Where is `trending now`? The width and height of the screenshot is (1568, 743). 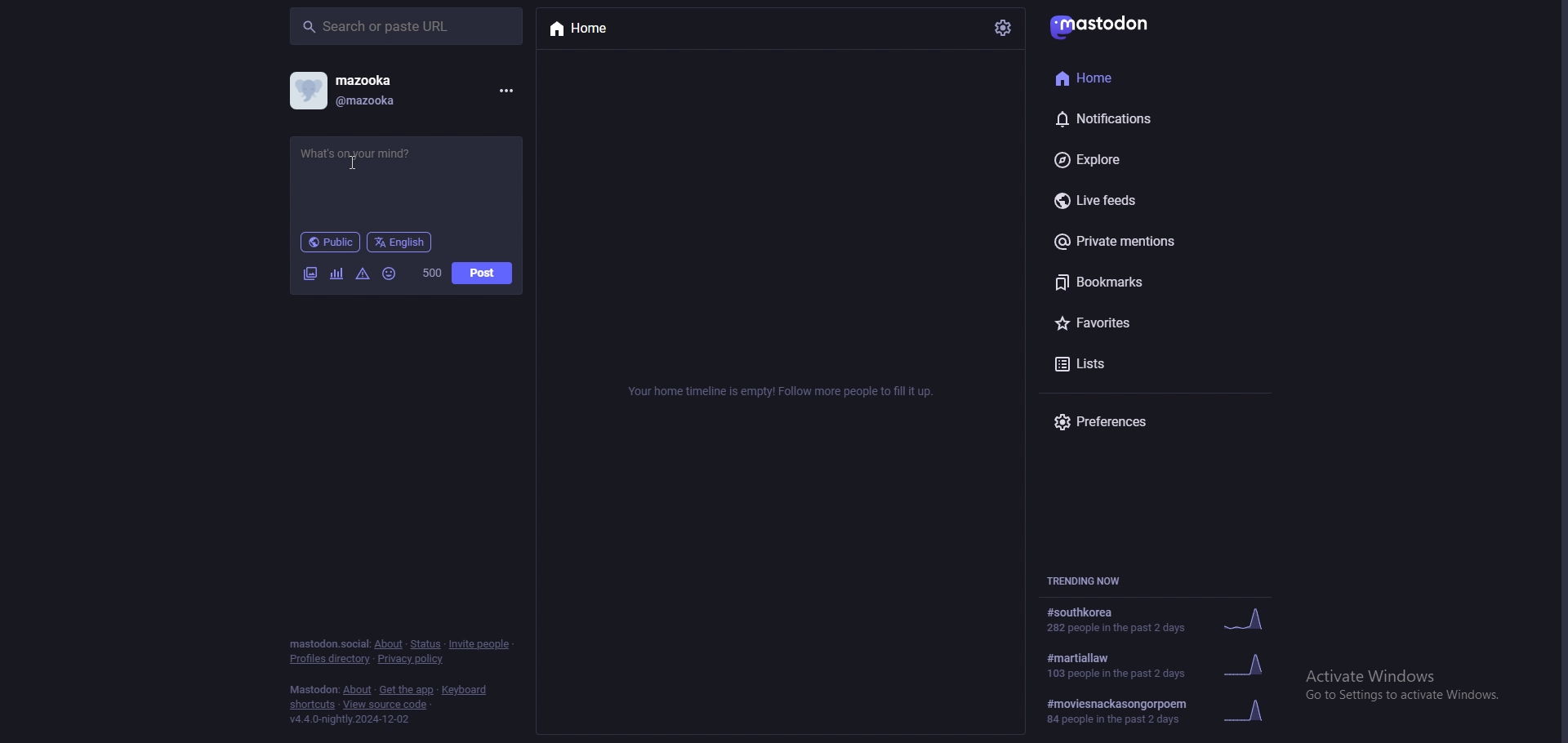 trending now is located at coordinates (1095, 581).